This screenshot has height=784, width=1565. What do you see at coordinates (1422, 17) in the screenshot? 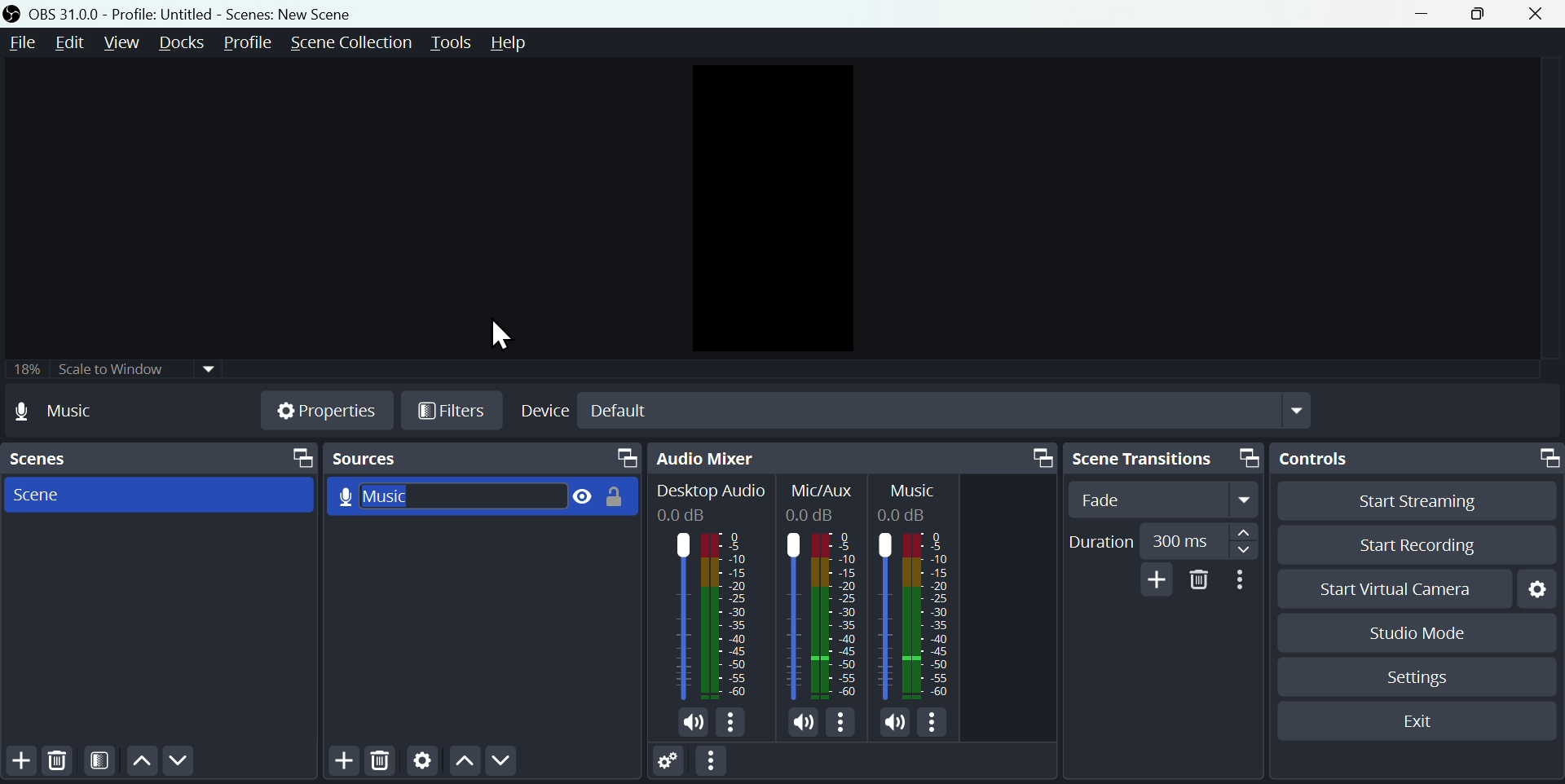
I see `minimise` at bounding box center [1422, 17].